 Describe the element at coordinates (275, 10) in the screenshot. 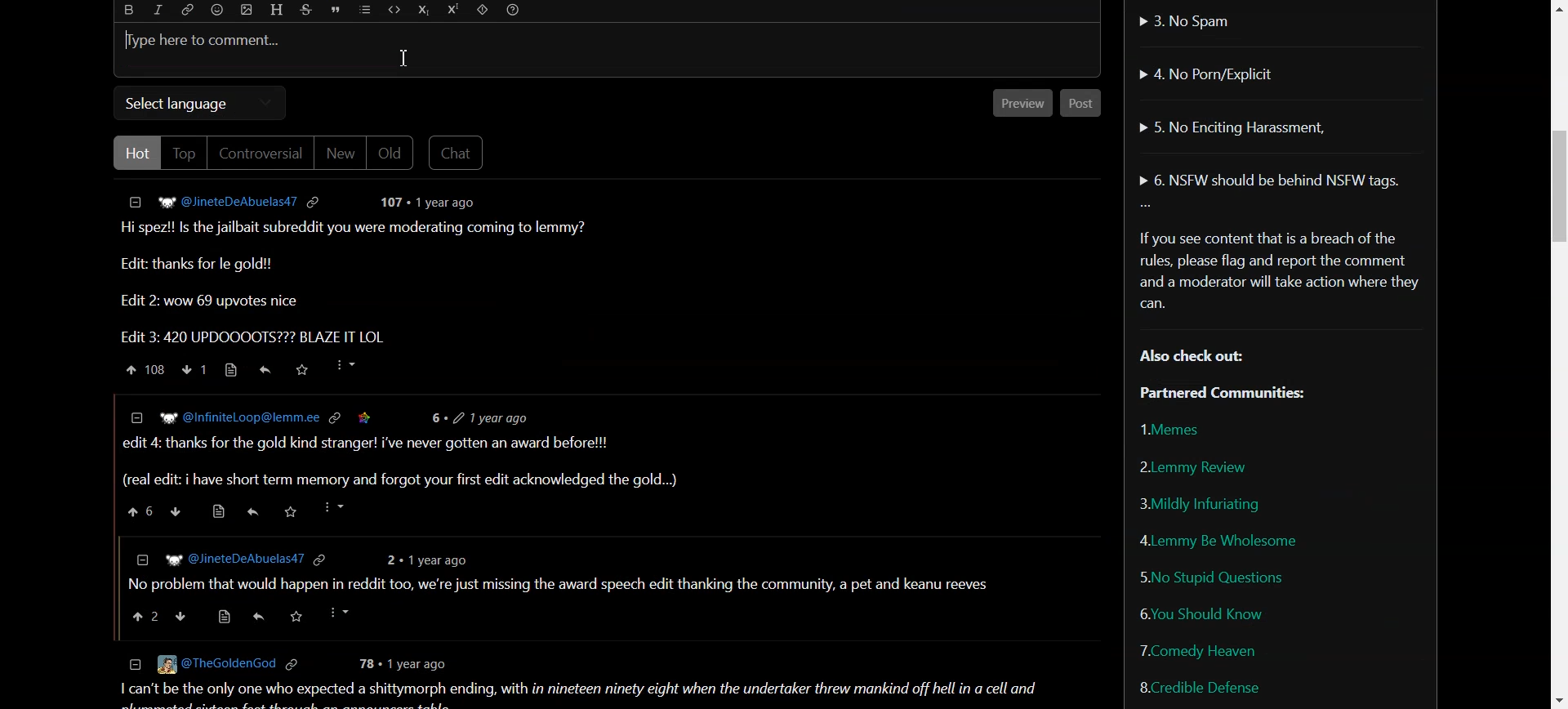

I see `Header` at that location.